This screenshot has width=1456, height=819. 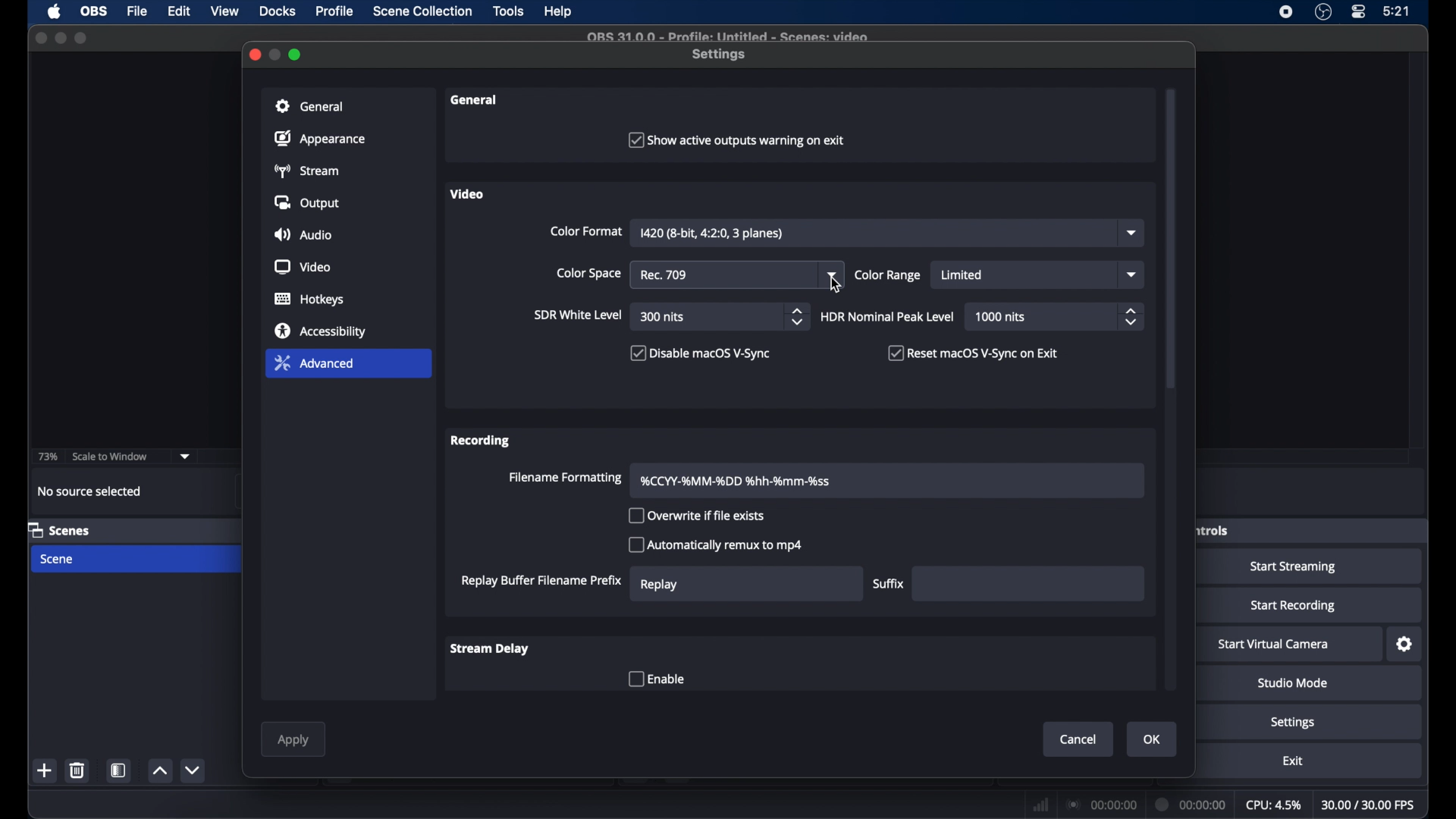 What do you see at coordinates (734, 482) in the screenshot?
I see `filename` at bounding box center [734, 482].